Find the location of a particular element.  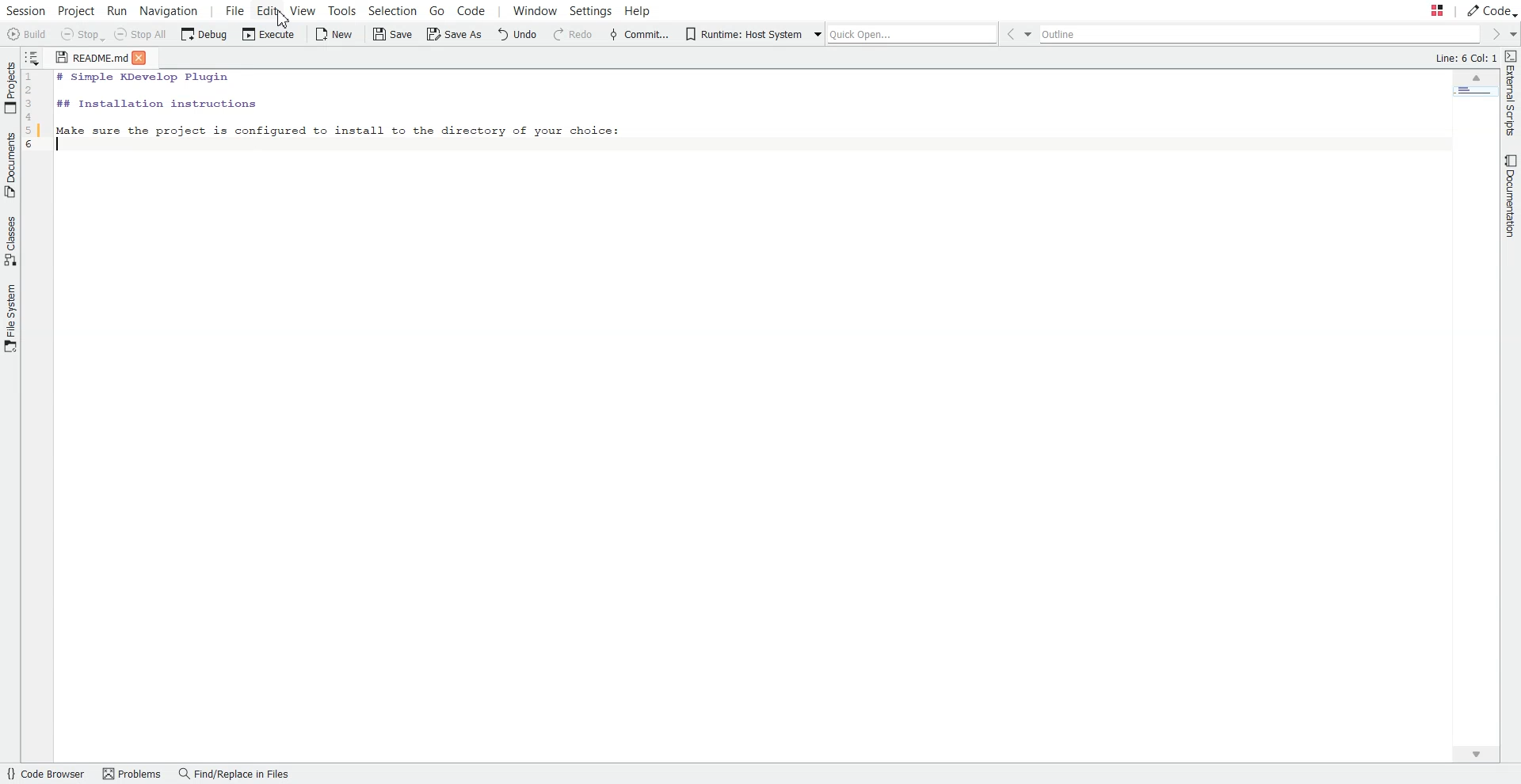

Edit is located at coordinates (268, 10).